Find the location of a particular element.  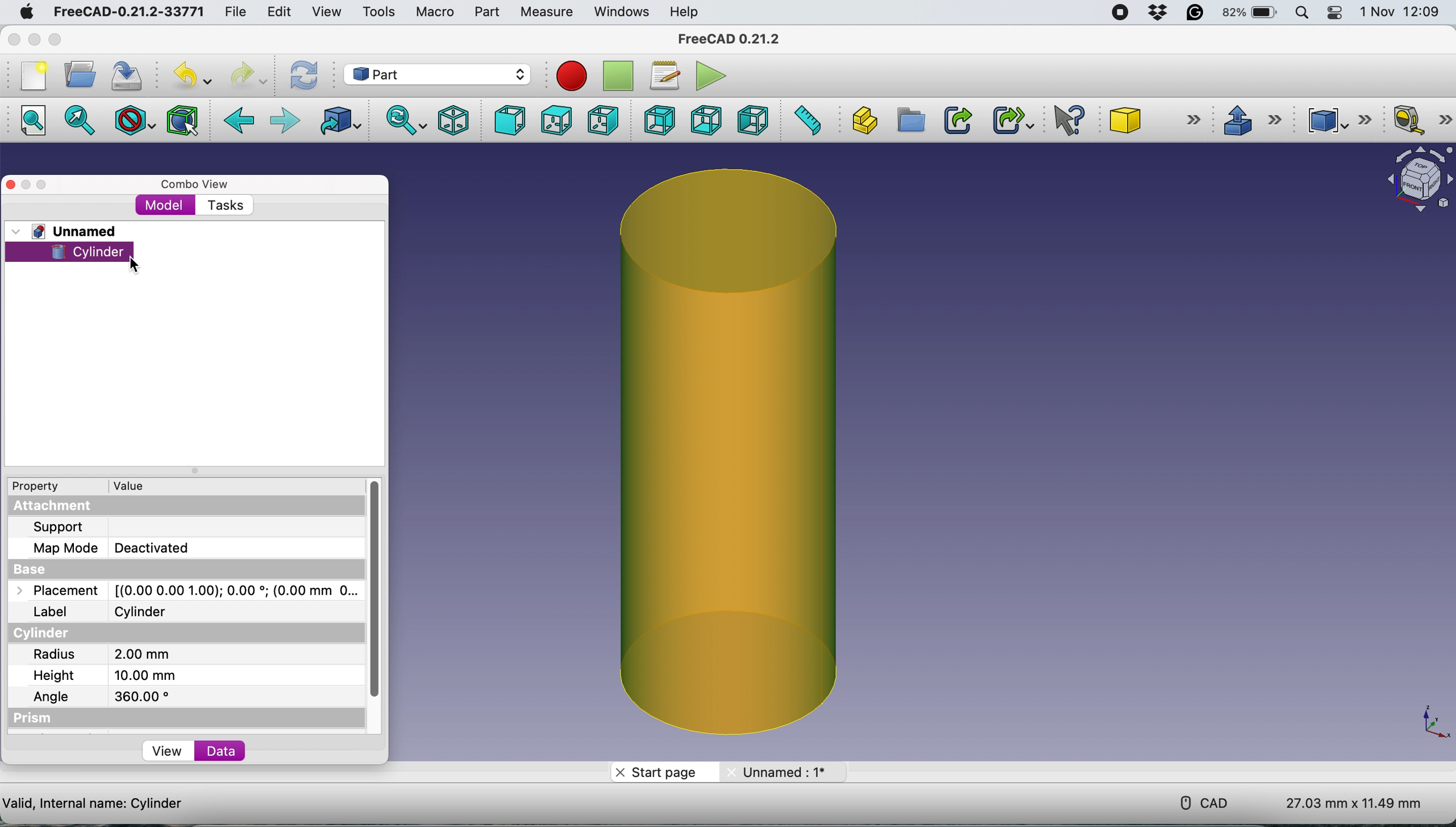

property is located at coordinates (38, 488).